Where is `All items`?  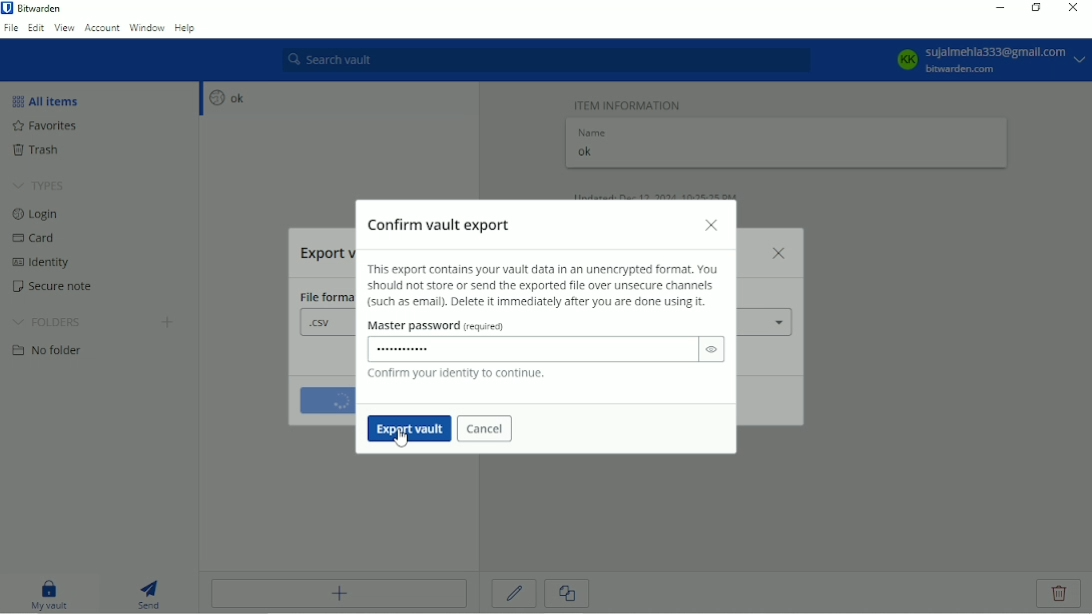
All items is located at coordinates (51, 100).